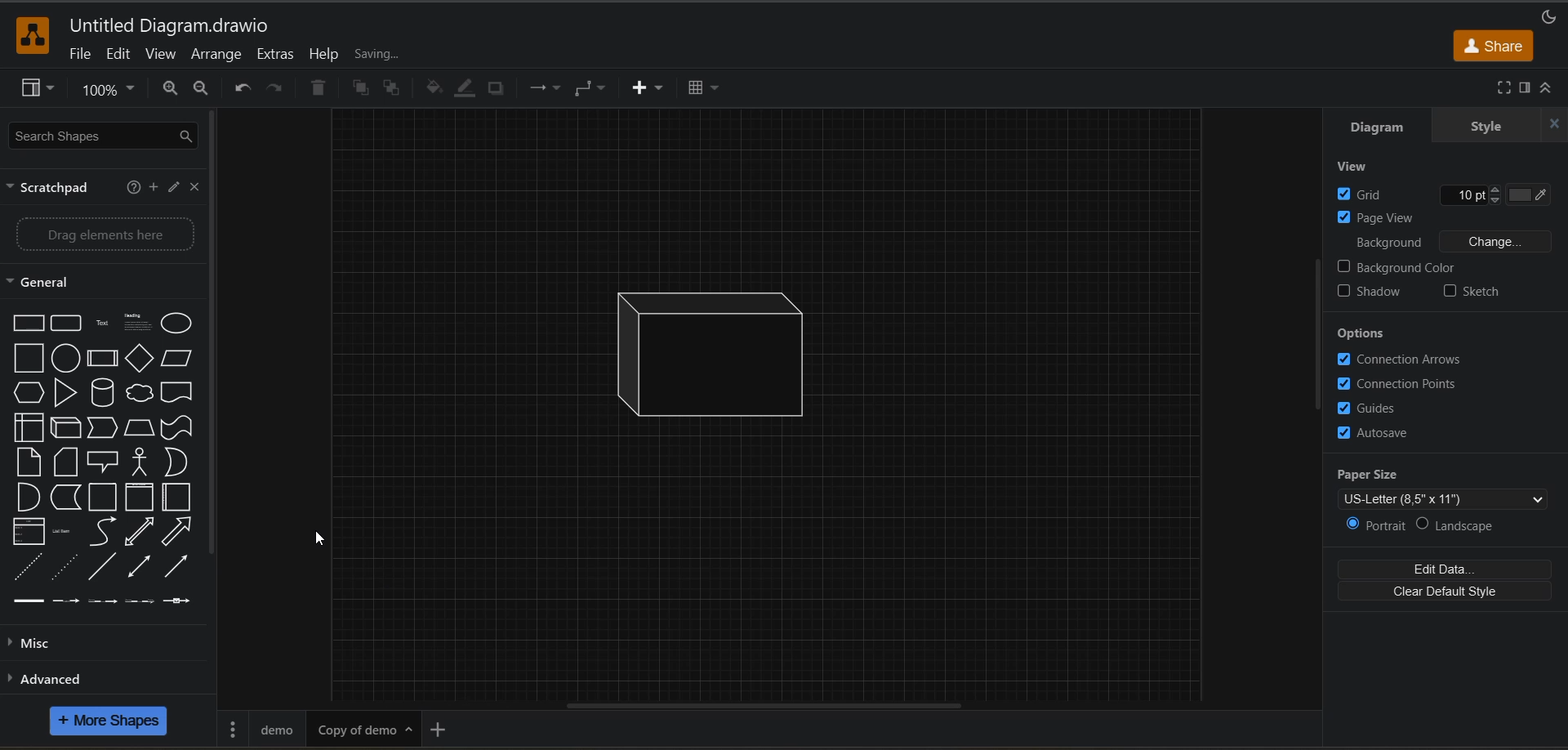  What do you see at coordinates (728, 354) in the screenshot?
I see `cuboid shape` at bounding box center [728, 354].